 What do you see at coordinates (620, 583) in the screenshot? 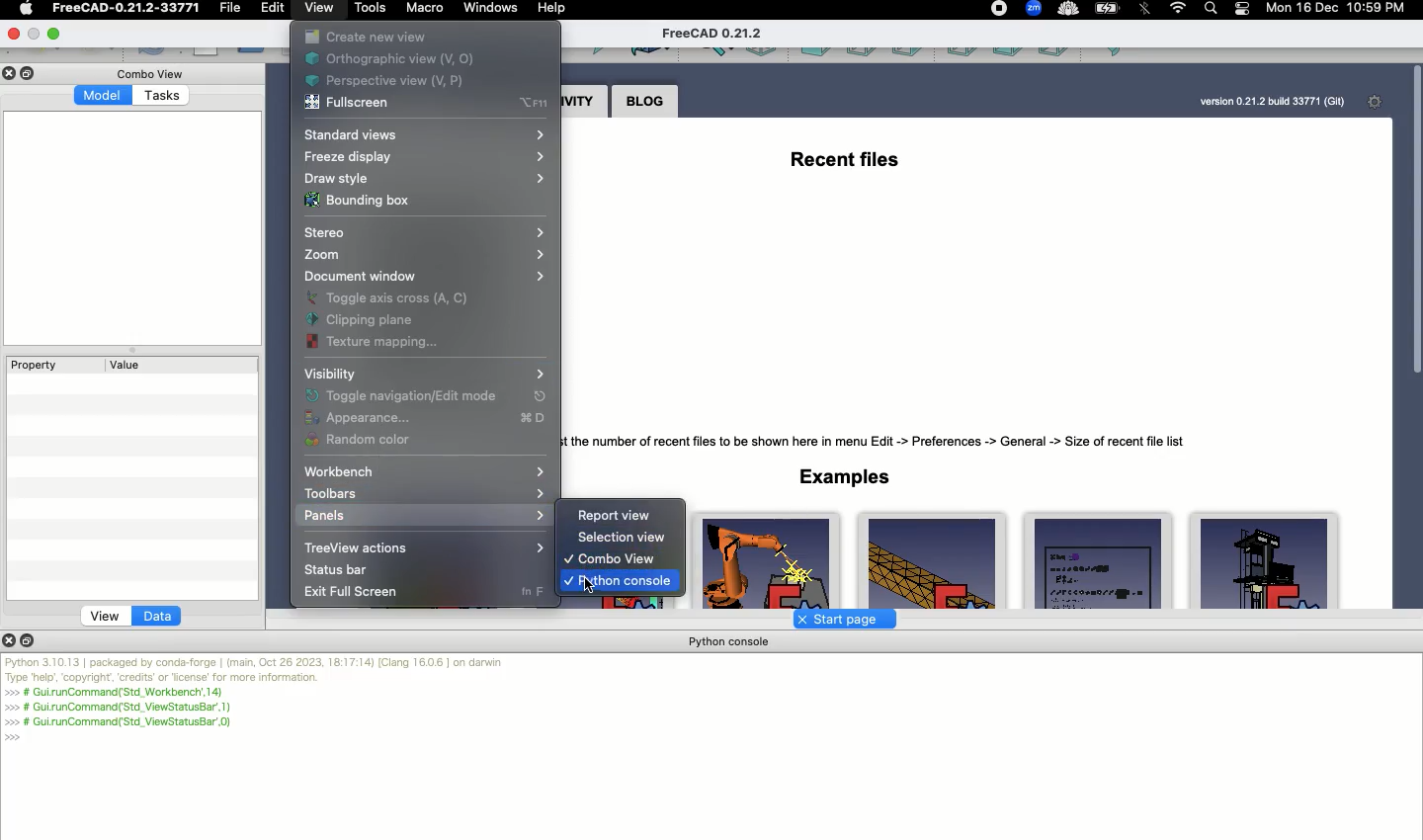
I see `Python console` at bounding box center [620, 583].